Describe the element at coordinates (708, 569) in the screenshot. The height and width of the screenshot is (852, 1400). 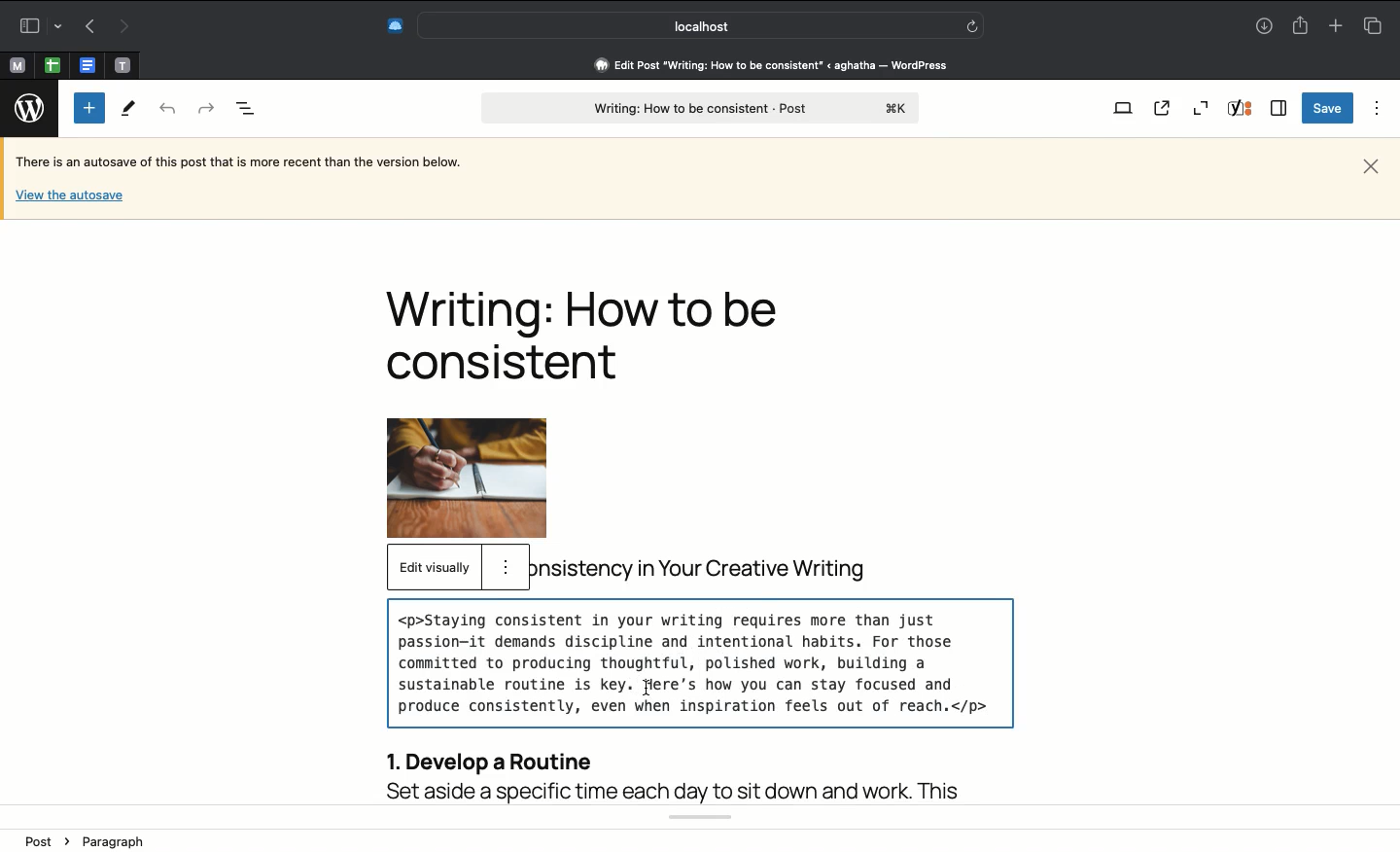
I see `title` at that location.